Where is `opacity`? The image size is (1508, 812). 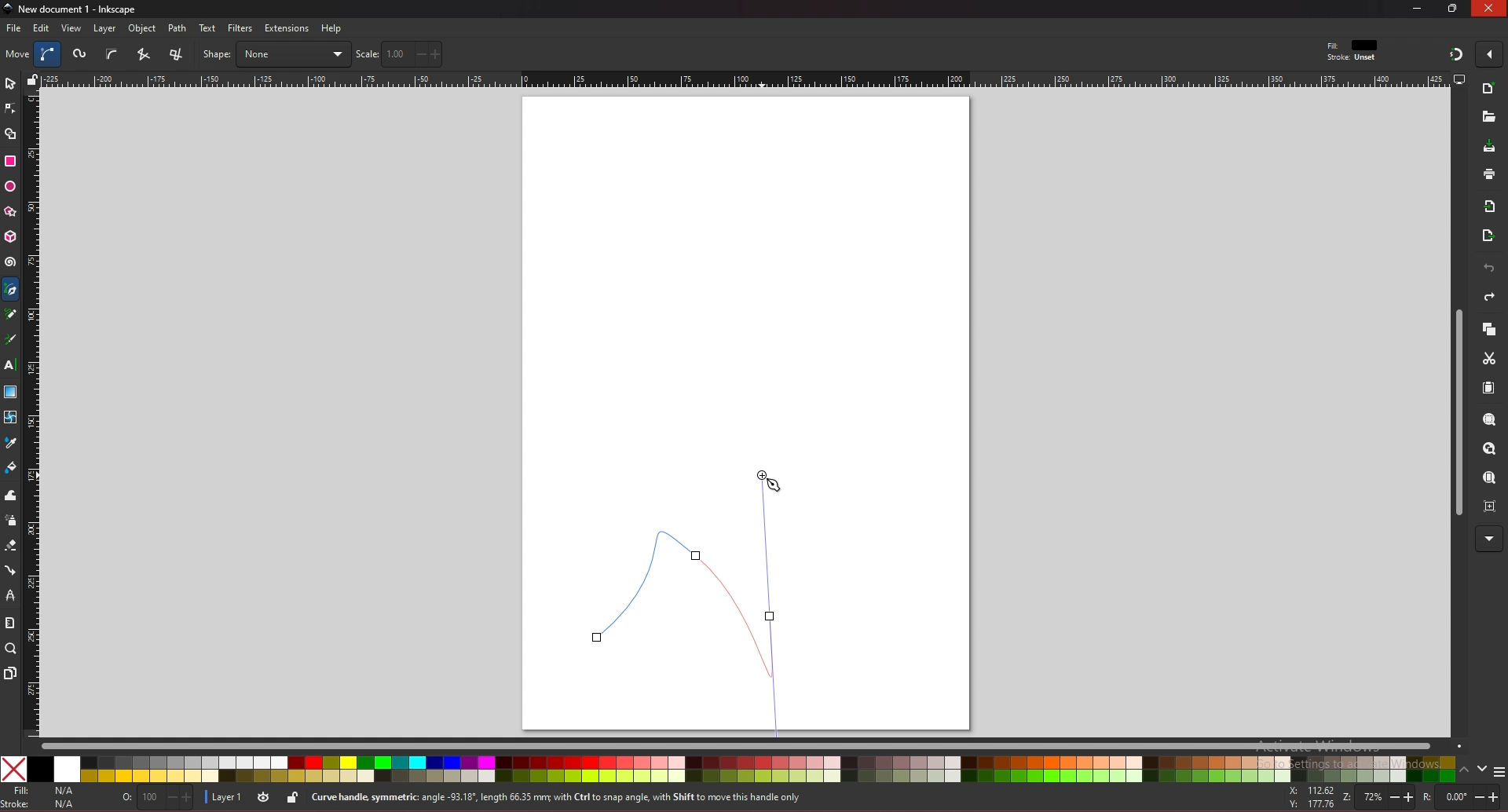 opacity is located at coordinates (159, 799).